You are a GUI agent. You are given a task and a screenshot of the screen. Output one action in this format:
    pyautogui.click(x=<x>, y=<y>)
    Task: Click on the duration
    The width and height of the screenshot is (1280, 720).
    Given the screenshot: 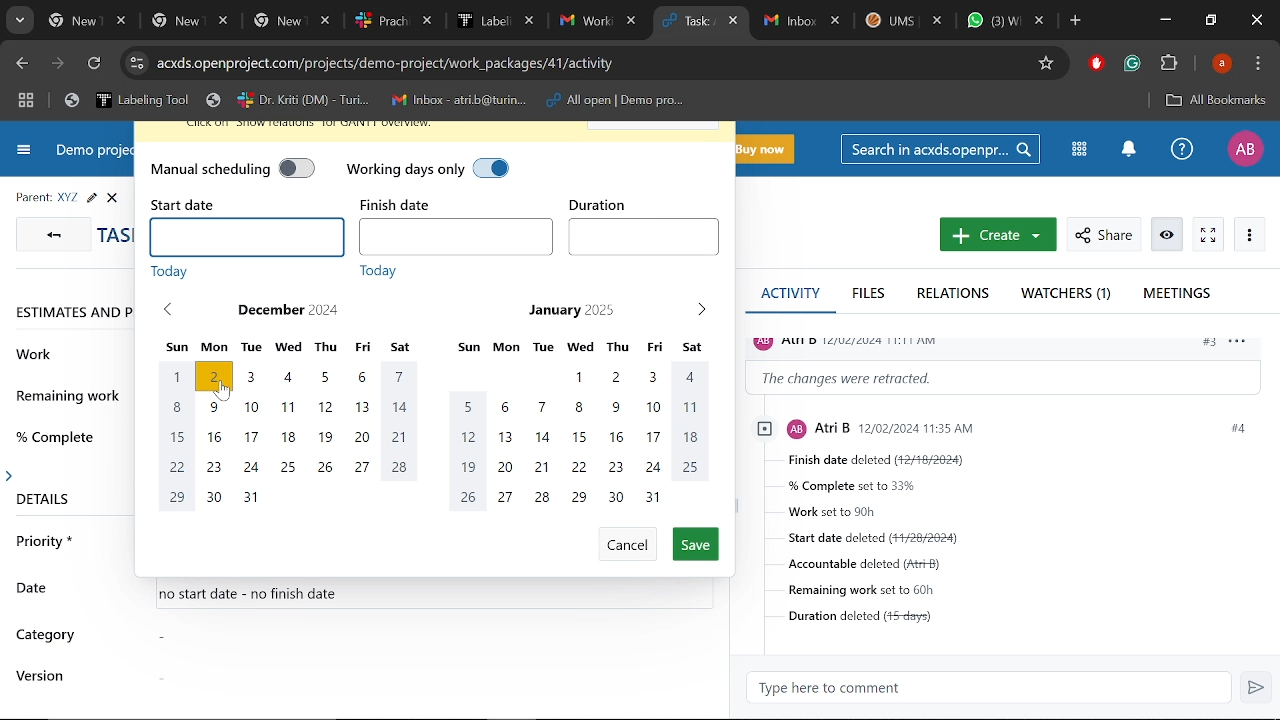 What is the action you would take?
    pyautogui.click(x=604, y=203)
    